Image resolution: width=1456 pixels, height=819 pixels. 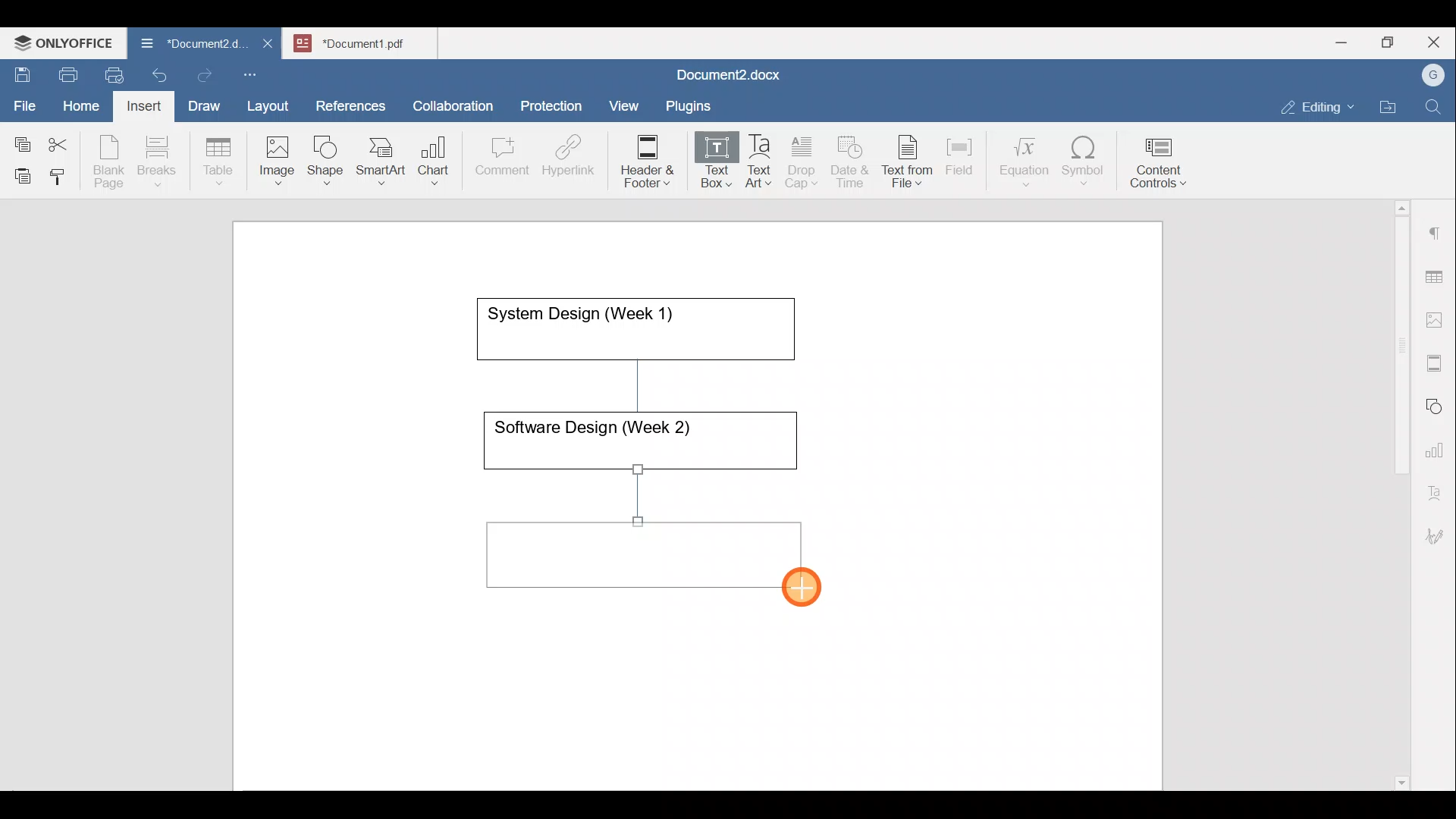 I want to click on Close, so click(x=1436, y=43).